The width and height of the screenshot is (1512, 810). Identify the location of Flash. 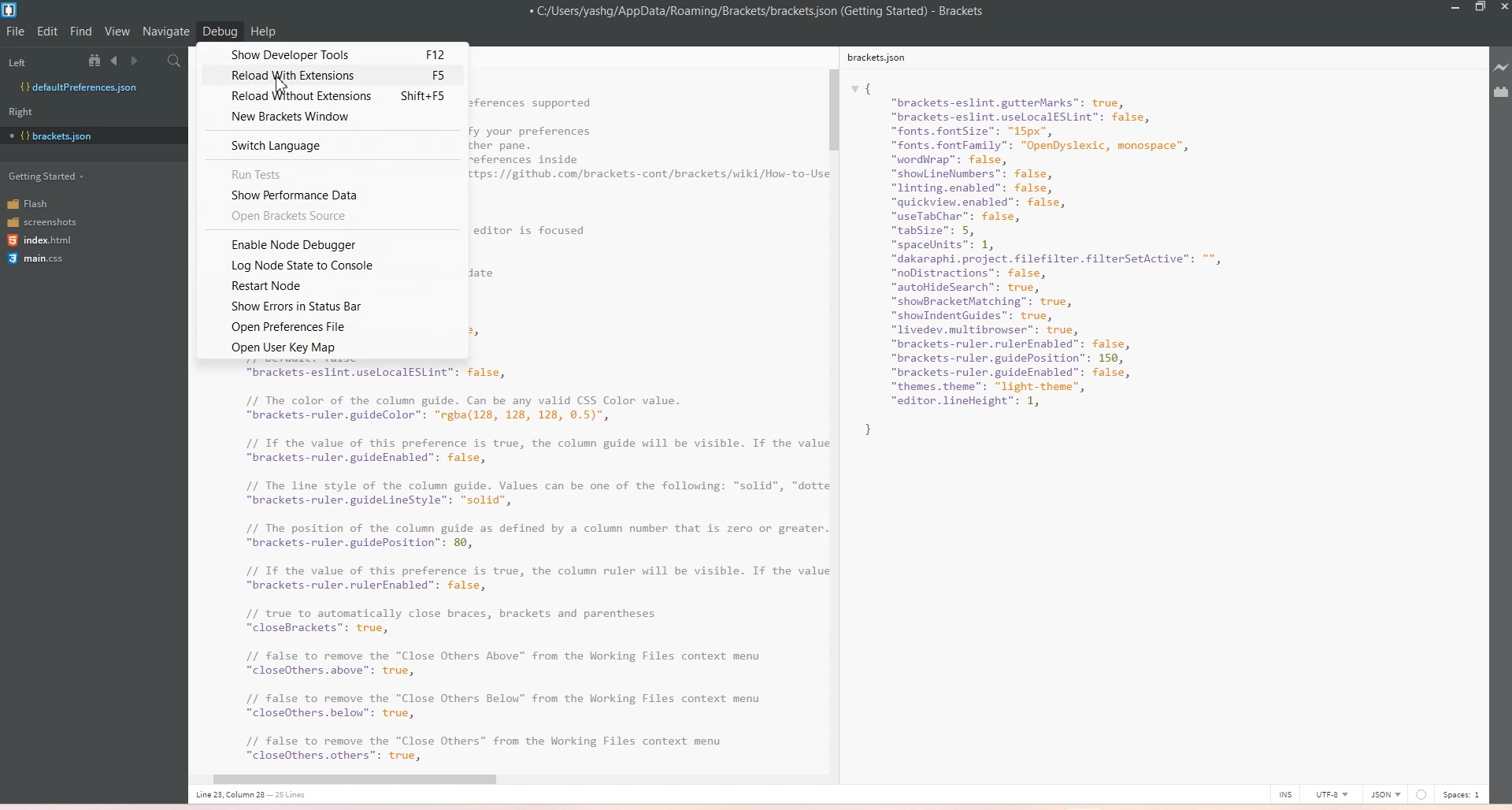
(39, 202).